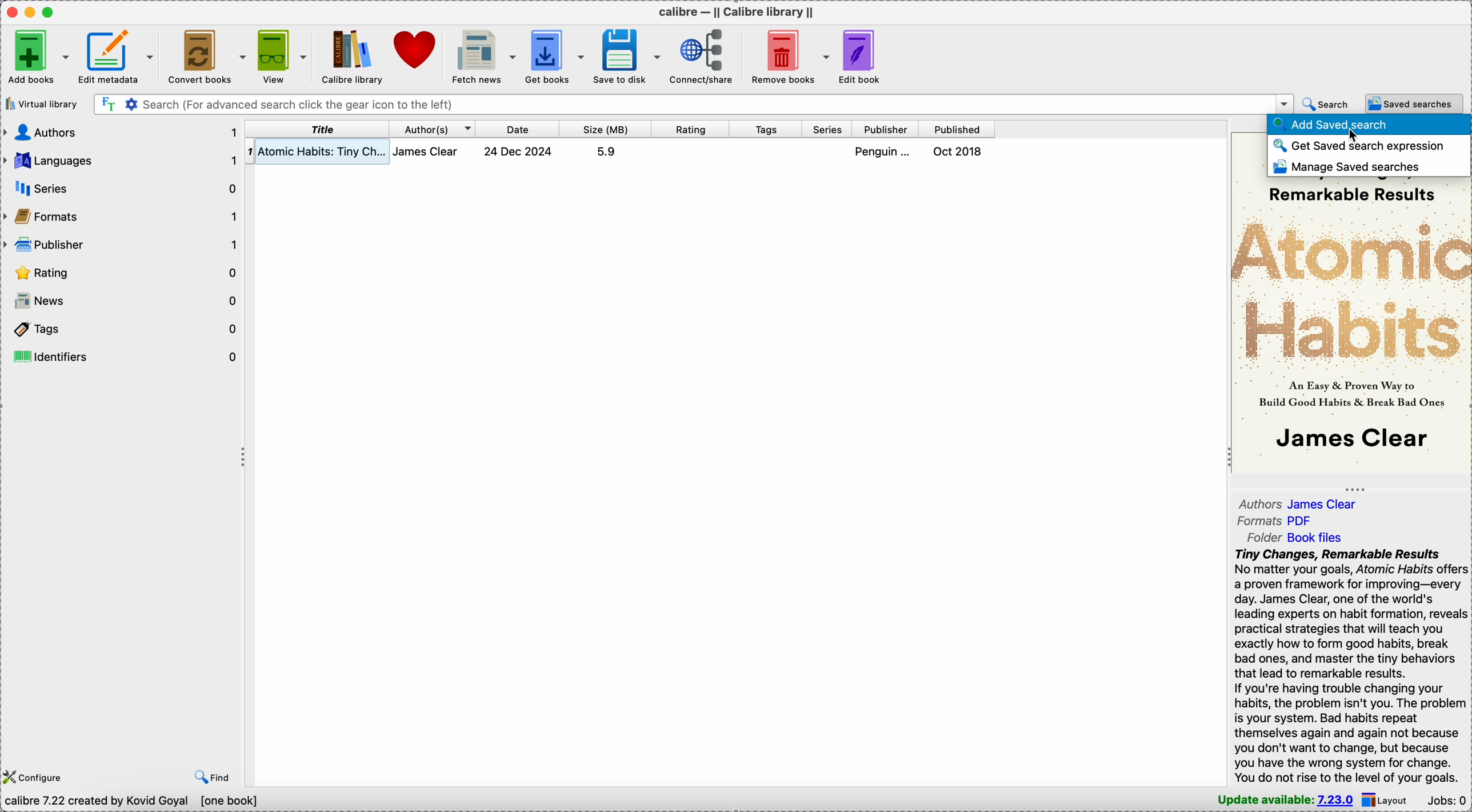  What do you see at coordinates (213, 773) in the screenshot?
I see `find` at bounding box center [213, 773].